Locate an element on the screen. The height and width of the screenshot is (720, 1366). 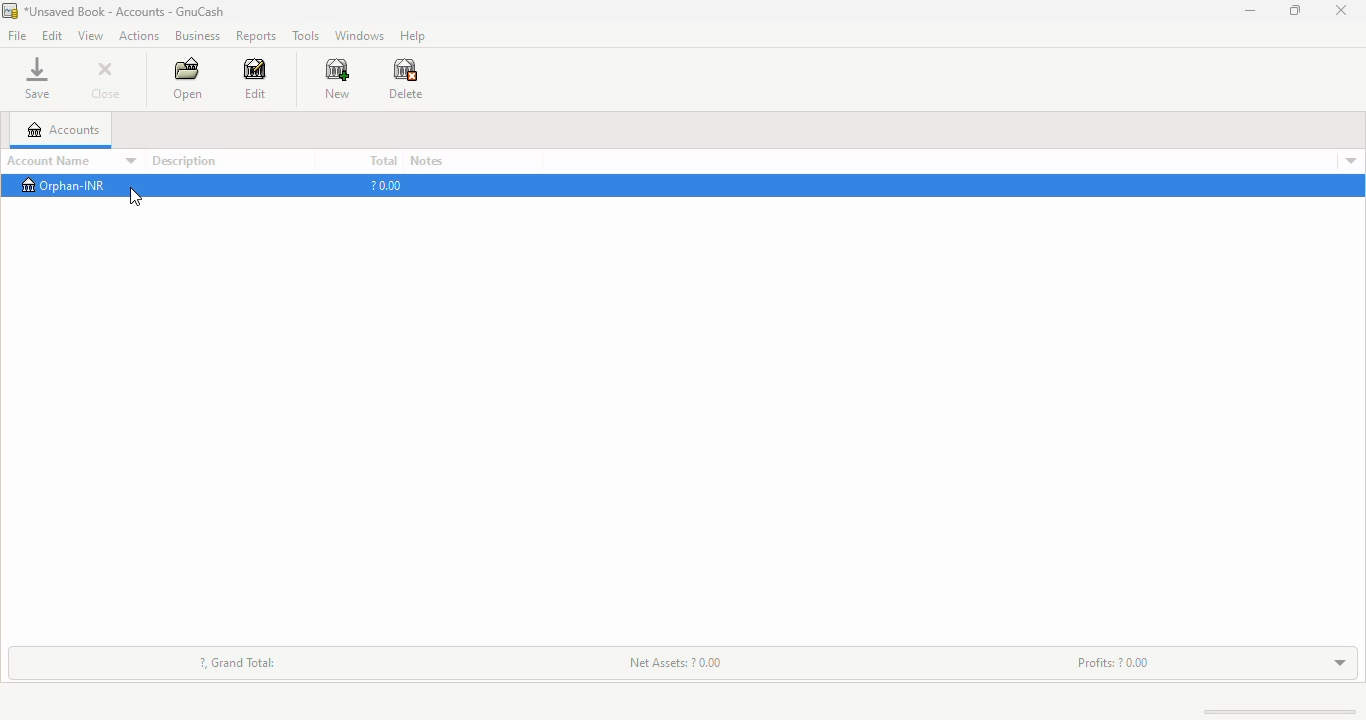
business is located at coordinates (196, 36).